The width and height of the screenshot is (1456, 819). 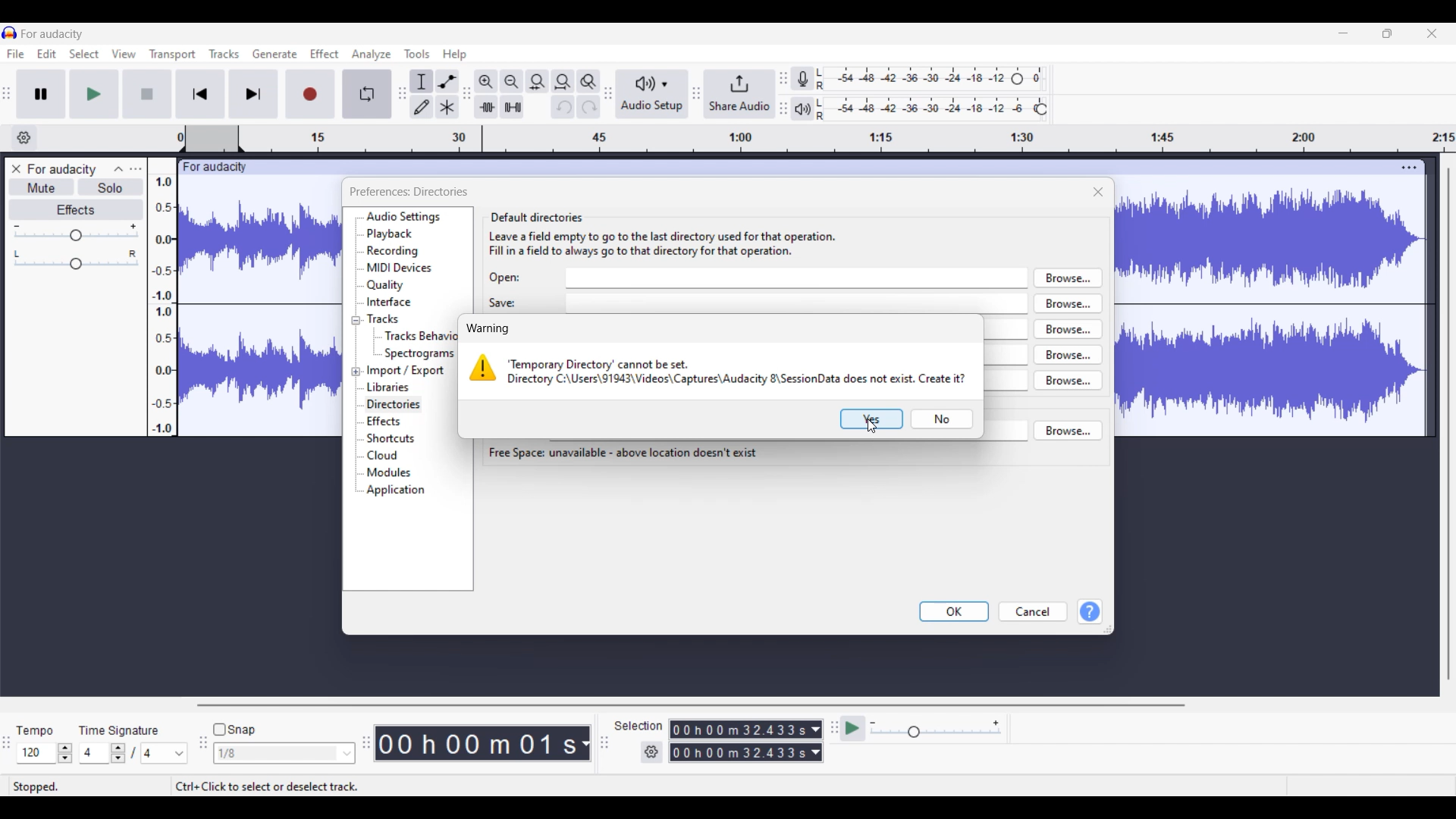 I want to click on Timeline options, so click(x=24, y=138).